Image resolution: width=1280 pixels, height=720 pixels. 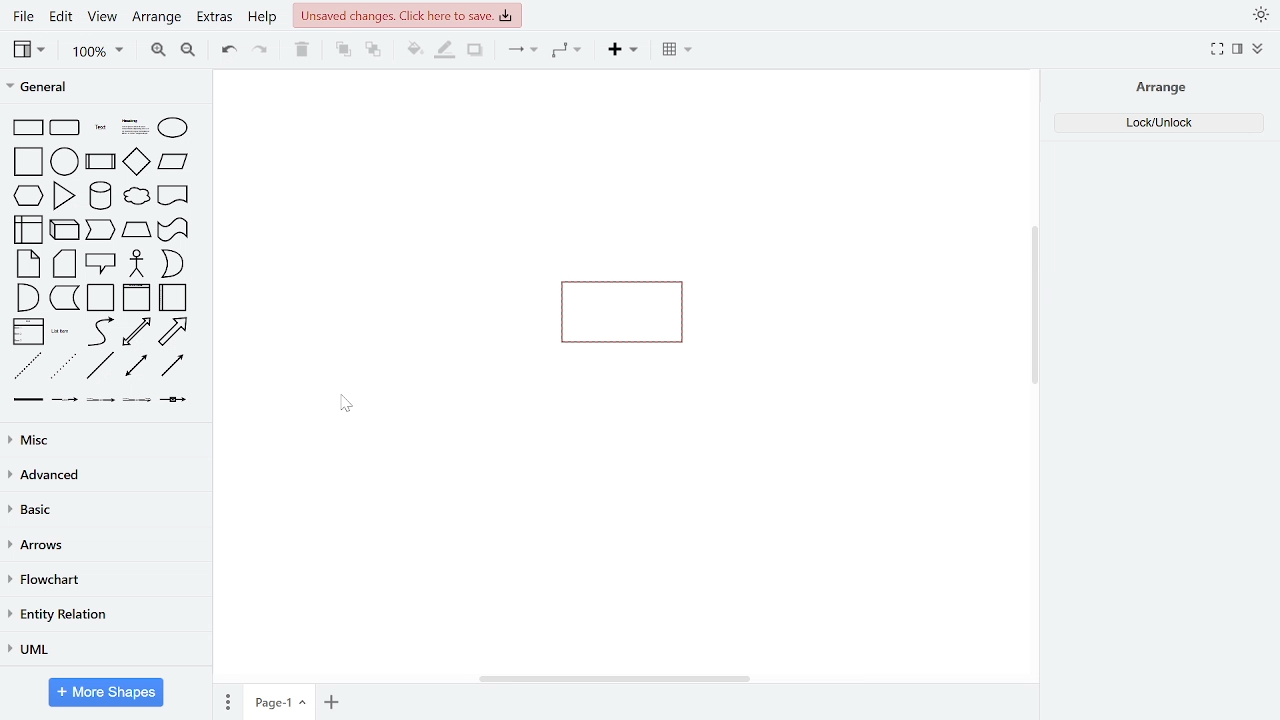 I want to click on 100%, so click(x=95, y=53).